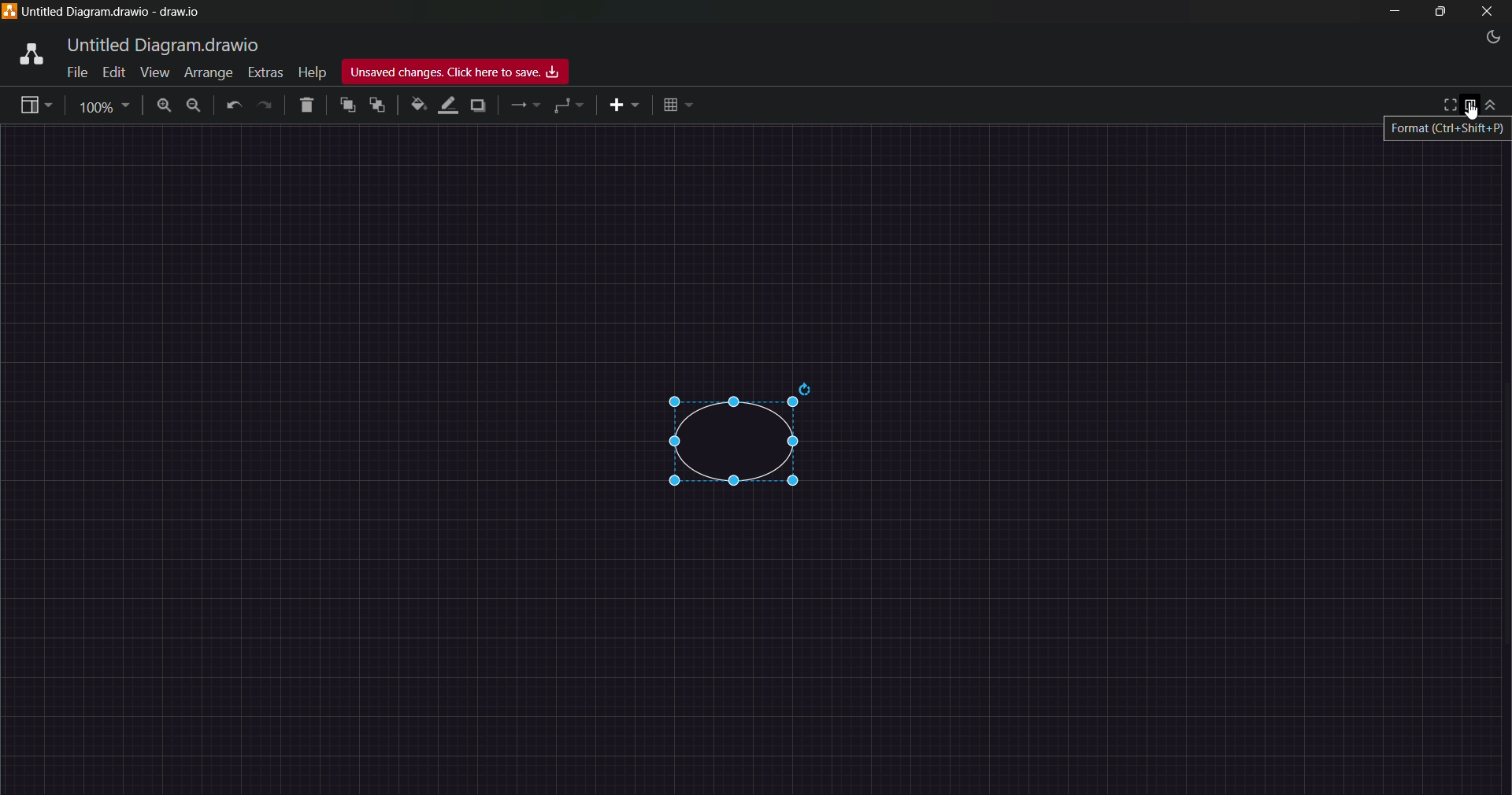  I want to click on full screen, so click(1447, 105).